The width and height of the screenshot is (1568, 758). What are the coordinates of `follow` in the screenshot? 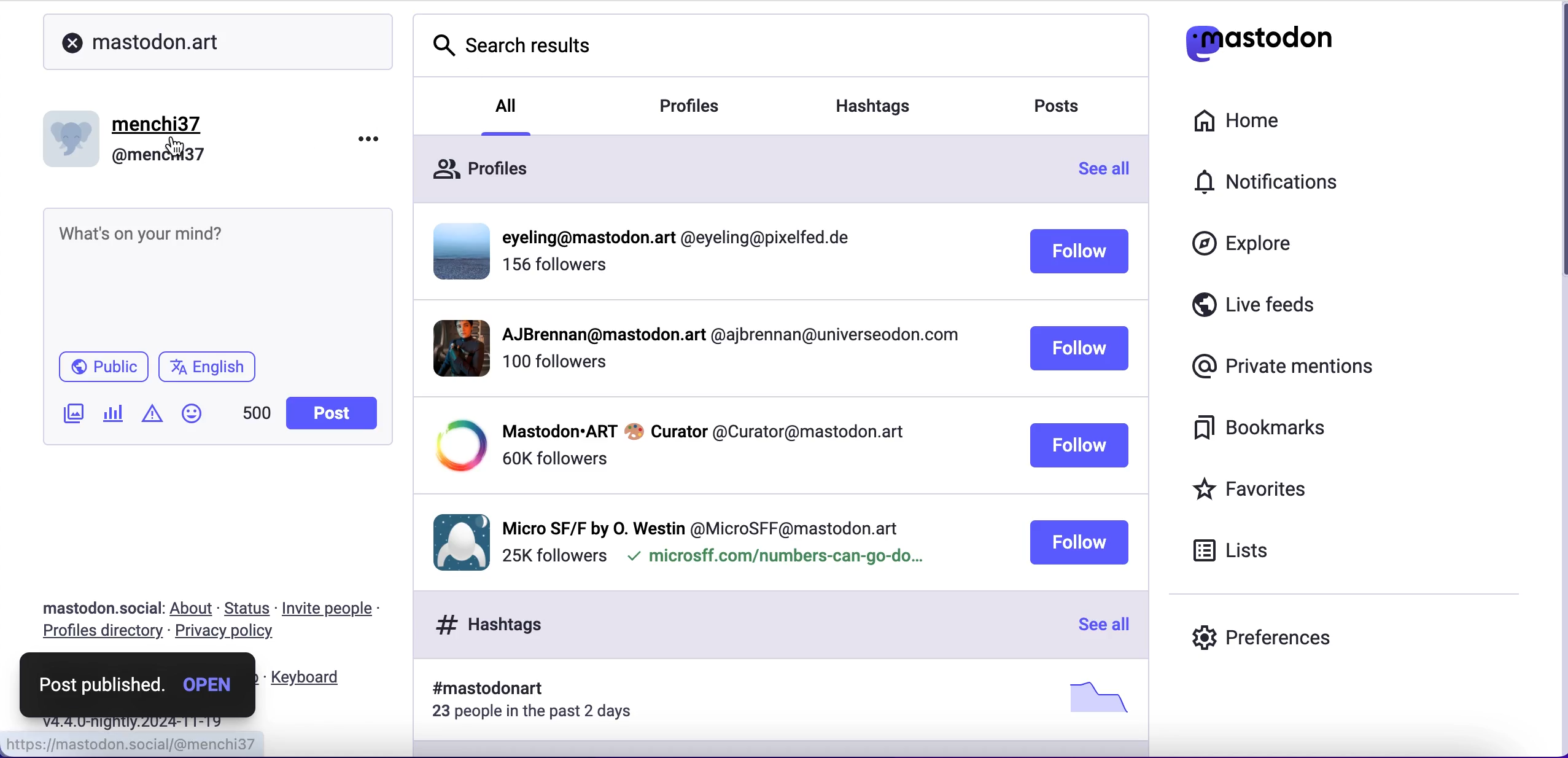 It's located at (1076, 348).